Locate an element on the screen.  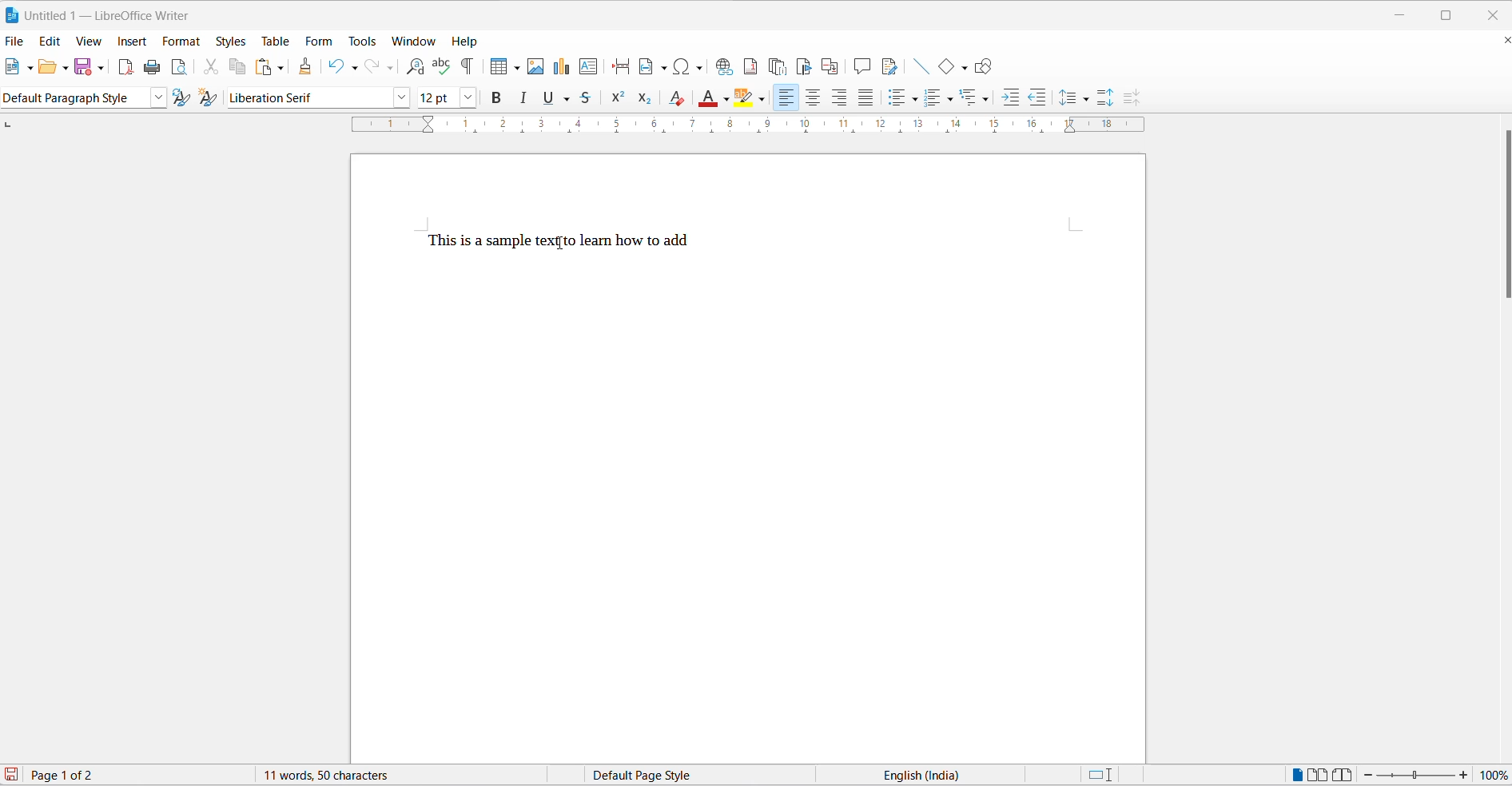
zoom slider is located at coordinates (1417, 776).